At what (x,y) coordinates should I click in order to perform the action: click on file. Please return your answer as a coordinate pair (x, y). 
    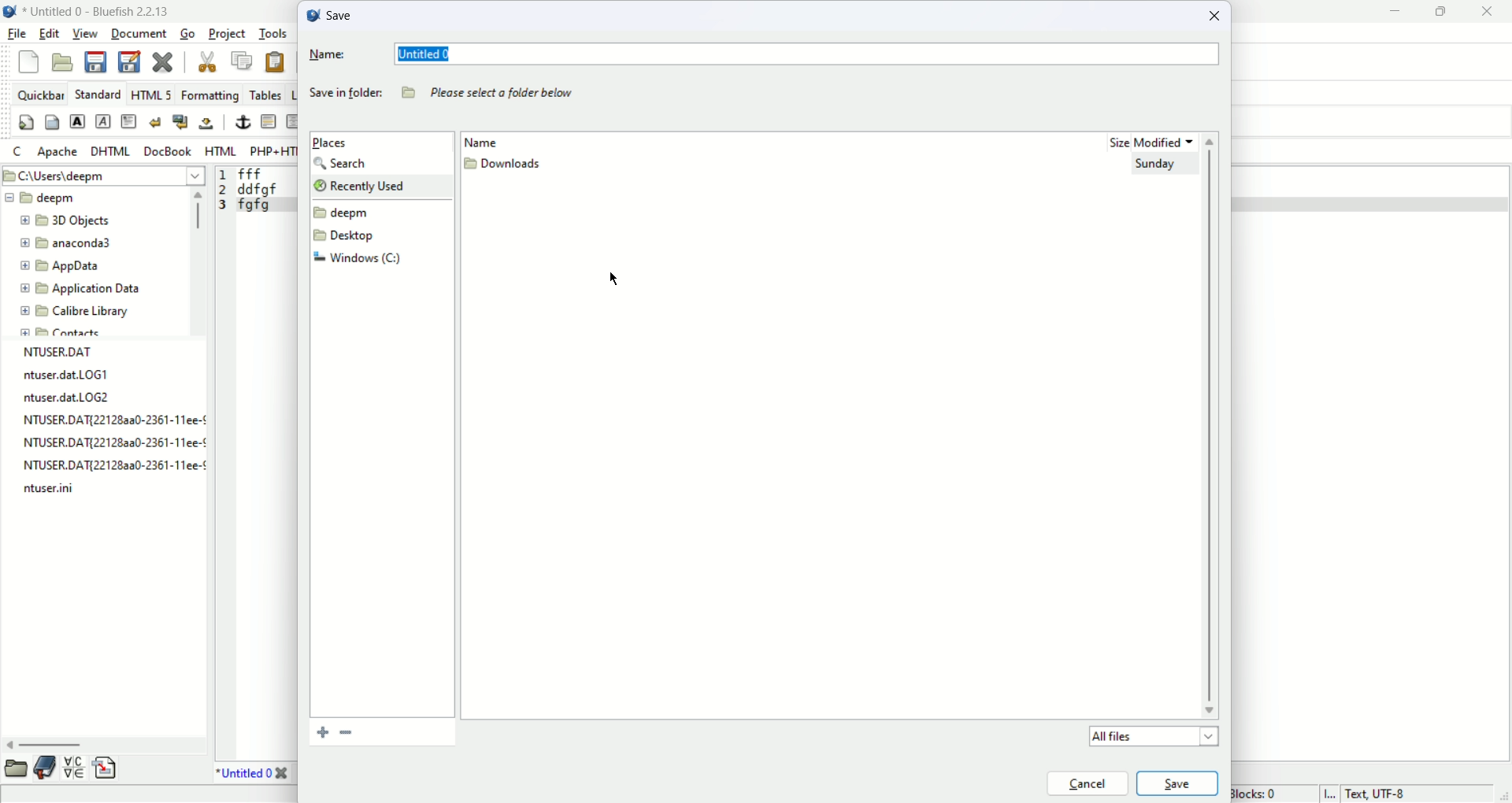
    Looking at the image, I should click on (17, 34).